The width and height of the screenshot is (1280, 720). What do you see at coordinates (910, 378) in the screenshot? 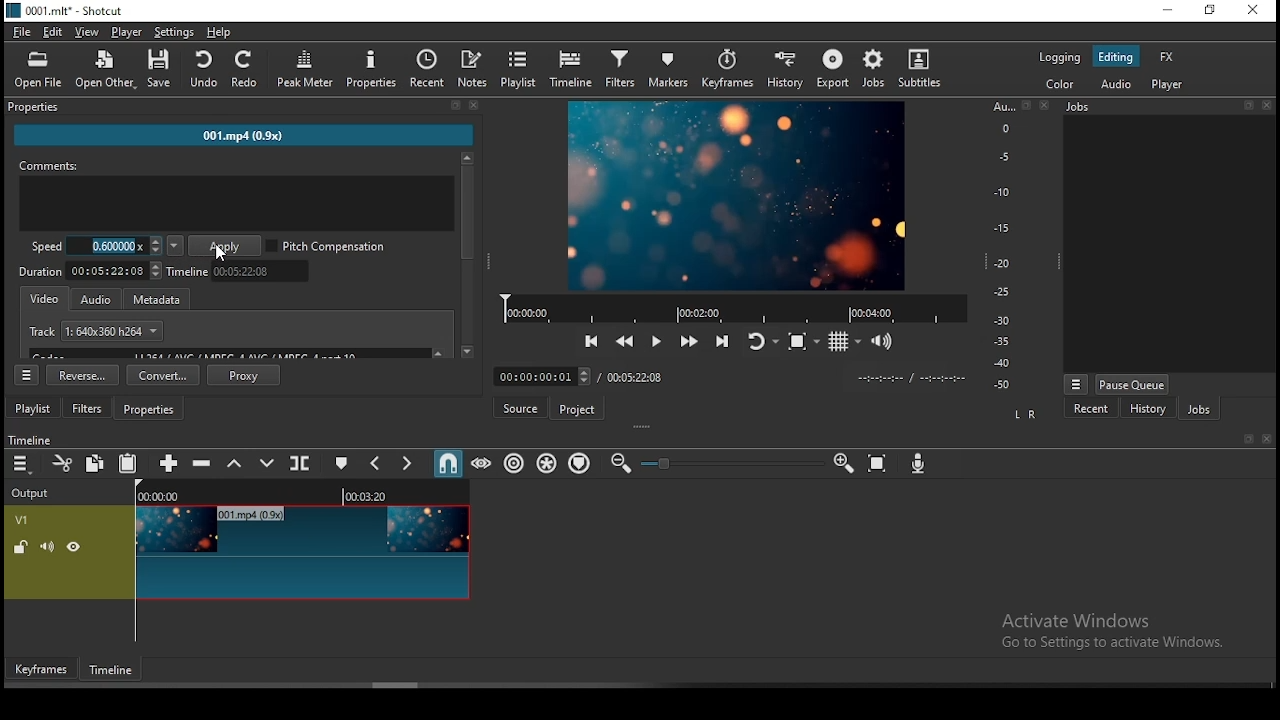
I see `timer` at bounding box center [910, 378].